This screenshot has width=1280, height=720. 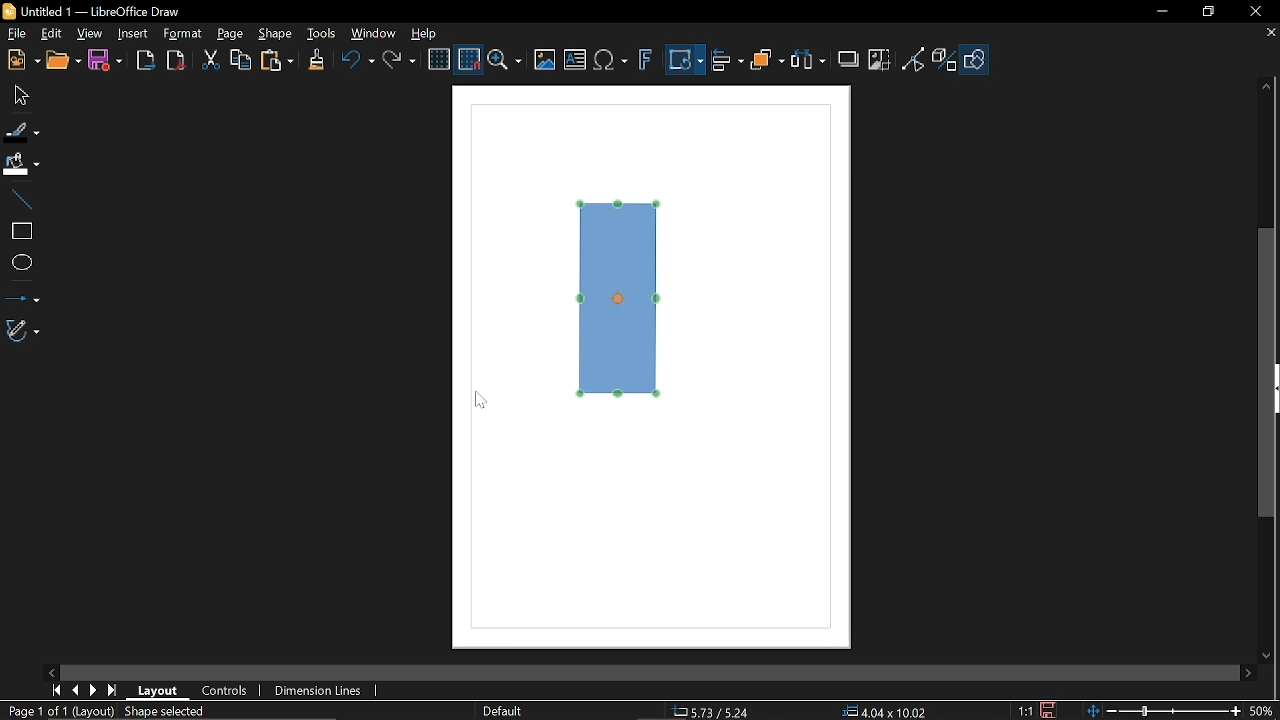 I want to click on View, so click(x=87, y=33).